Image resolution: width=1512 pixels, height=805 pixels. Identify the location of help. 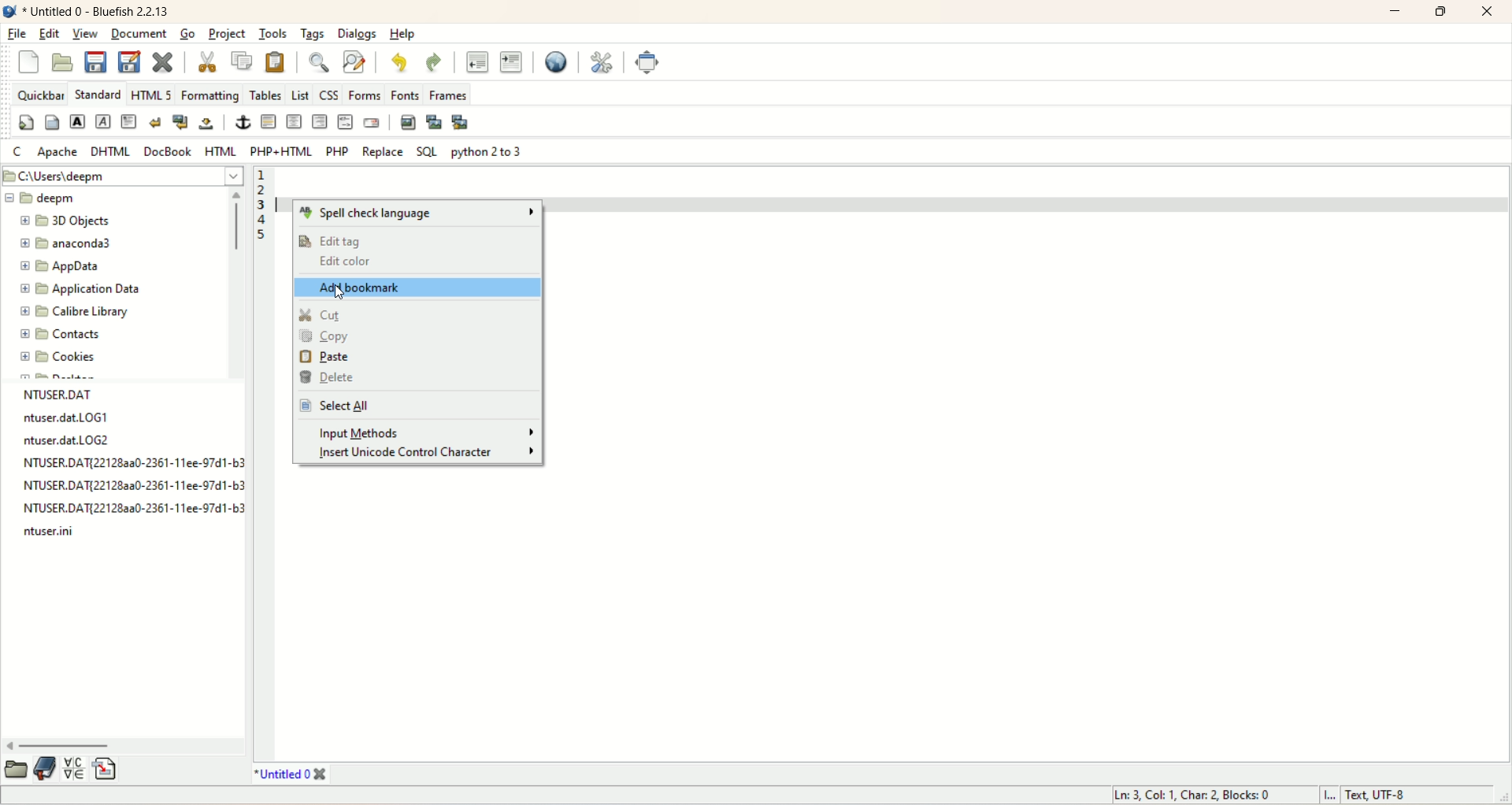
(402, 34).